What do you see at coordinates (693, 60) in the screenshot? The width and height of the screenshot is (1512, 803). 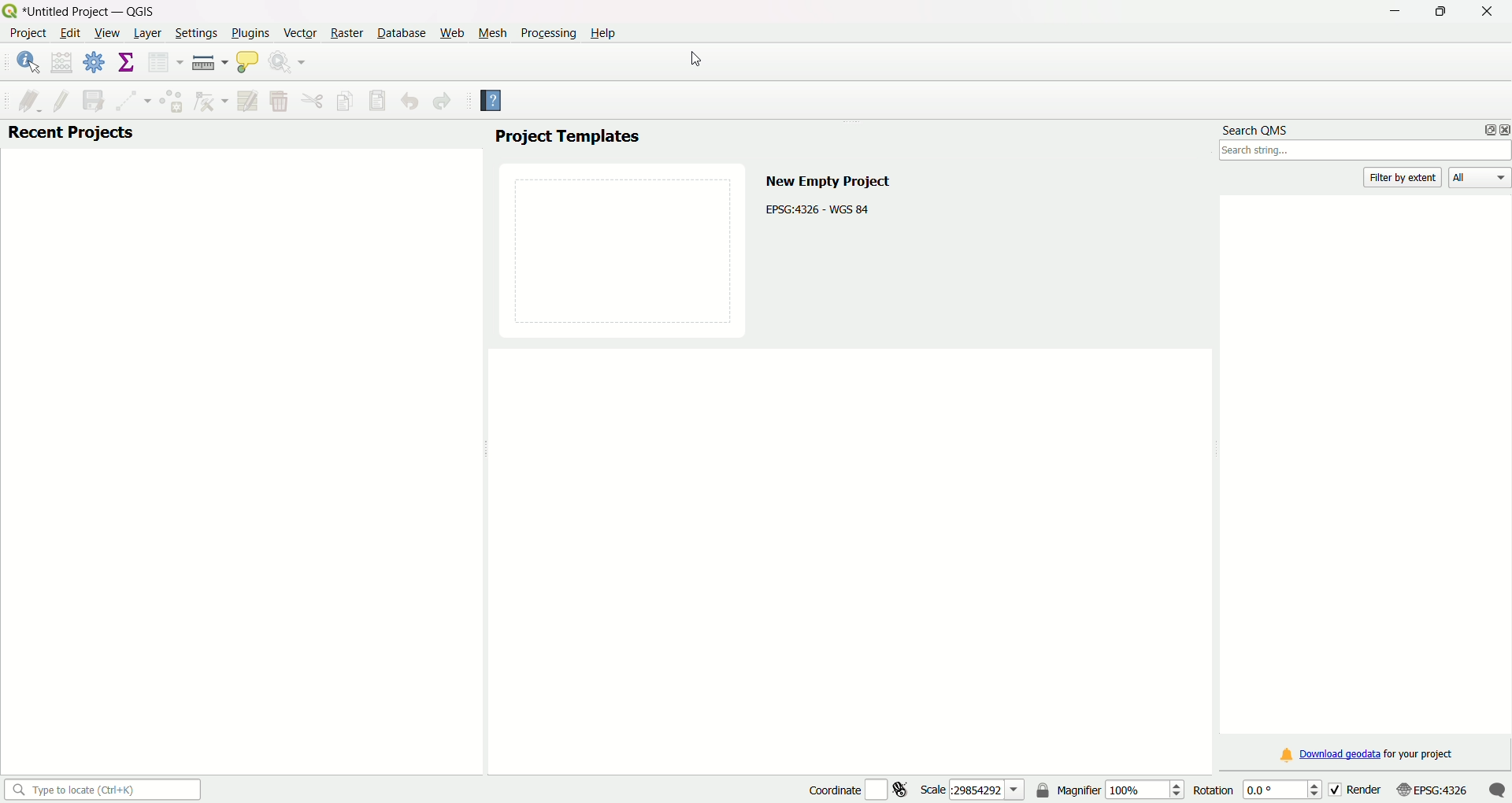 I see `cursor` at bounding box center [693, 60].